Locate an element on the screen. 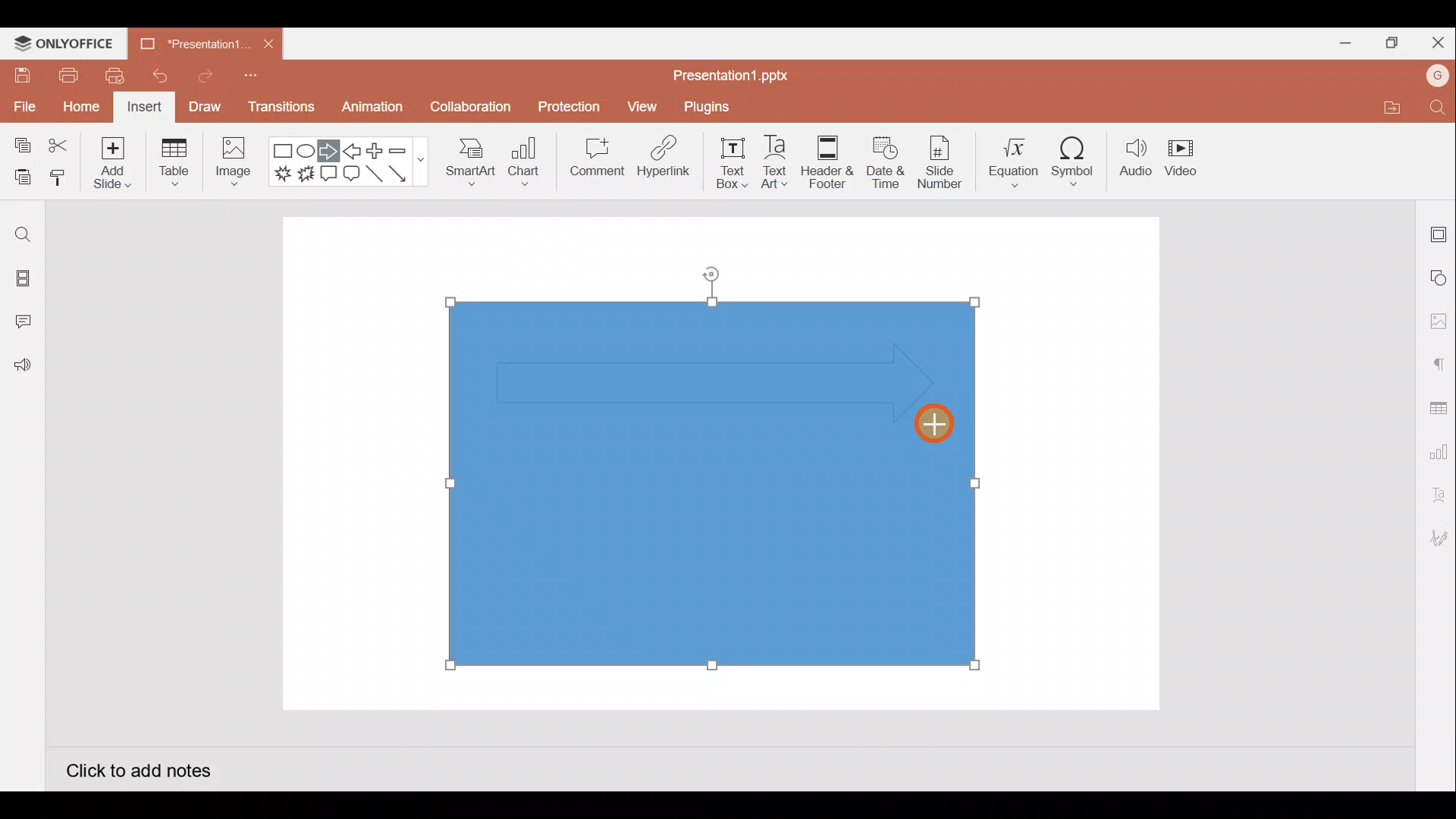 The height and width of the screenshot is (819, 1456). Equation is located at coordinates (1015, 157).